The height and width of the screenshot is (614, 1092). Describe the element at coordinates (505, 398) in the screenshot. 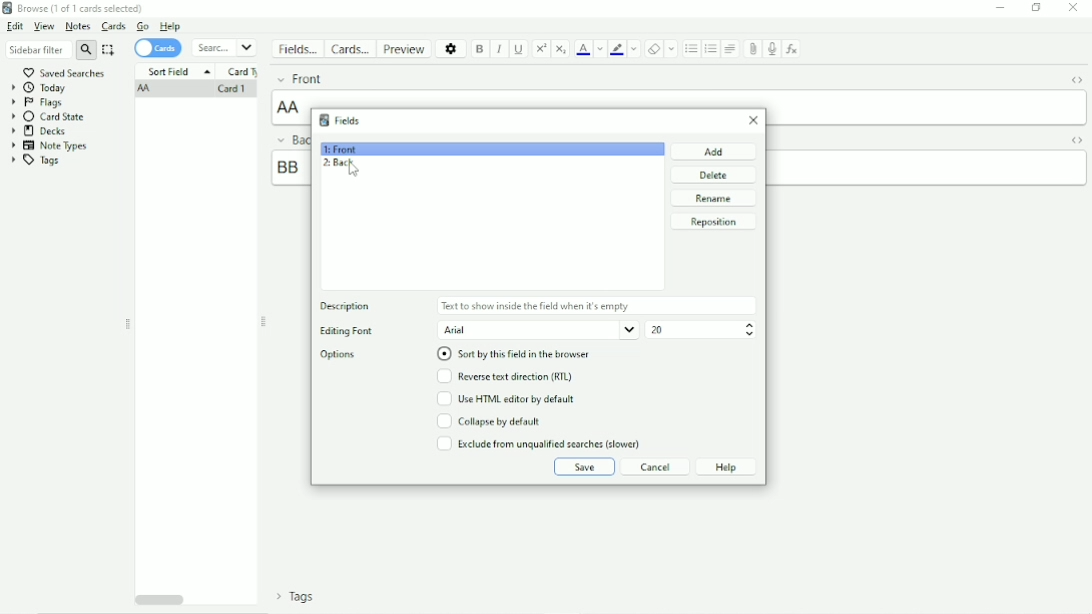

I see `Use HTML editor by default` at that location.